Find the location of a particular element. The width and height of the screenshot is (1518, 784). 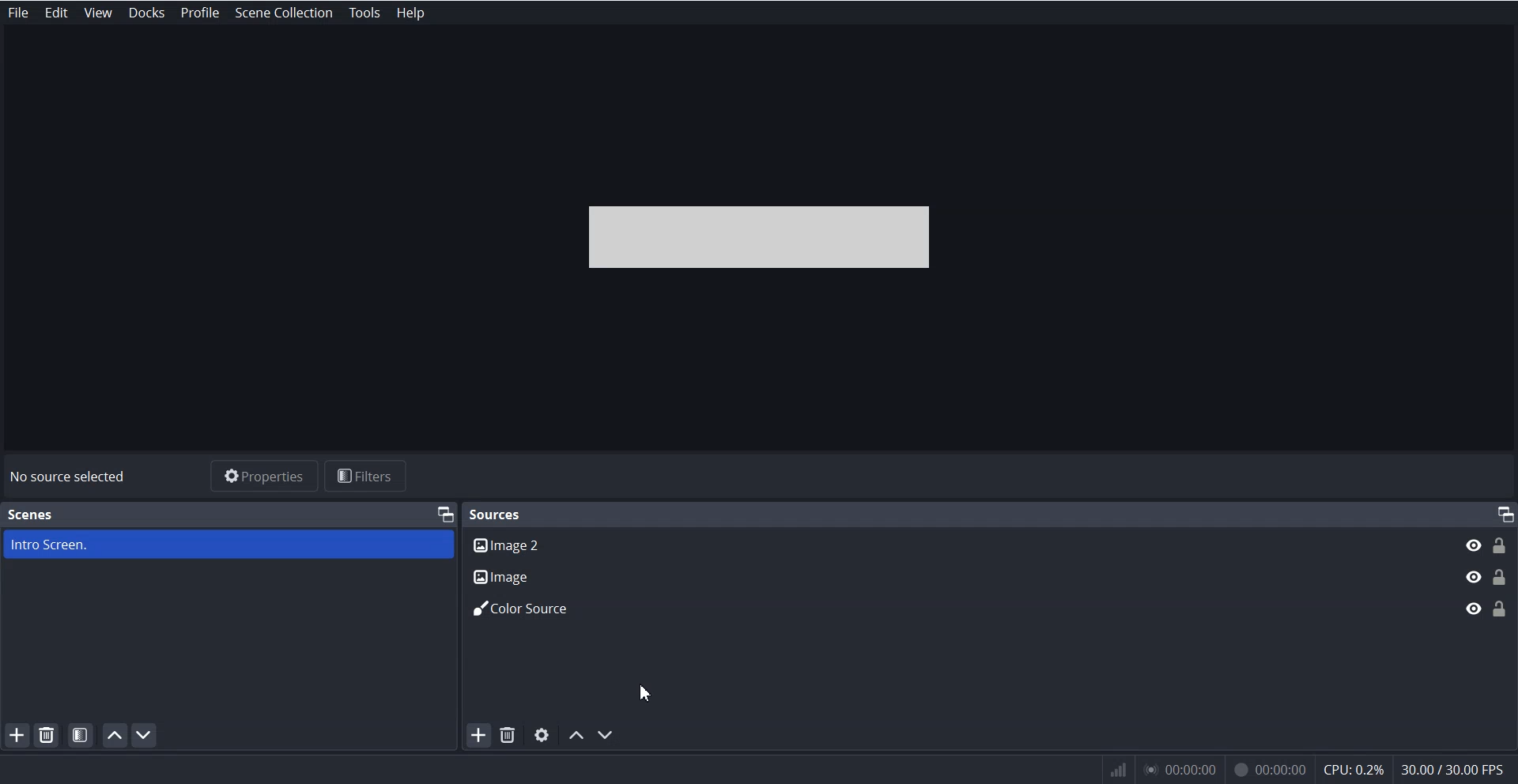

Sources is located at coordinates (498, 513).